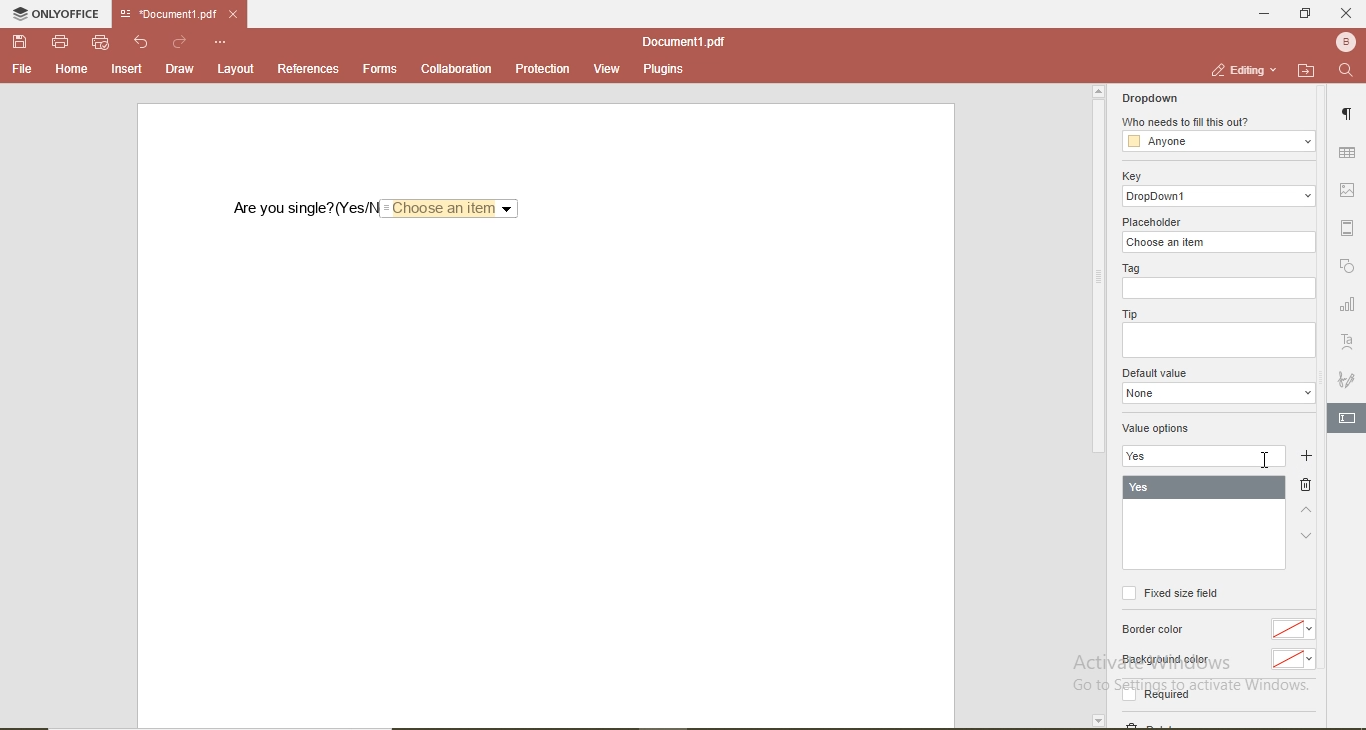  What do you see at coordinates (309, 68) in the screenshot?
I see `references` at bounding box center [309, 68].